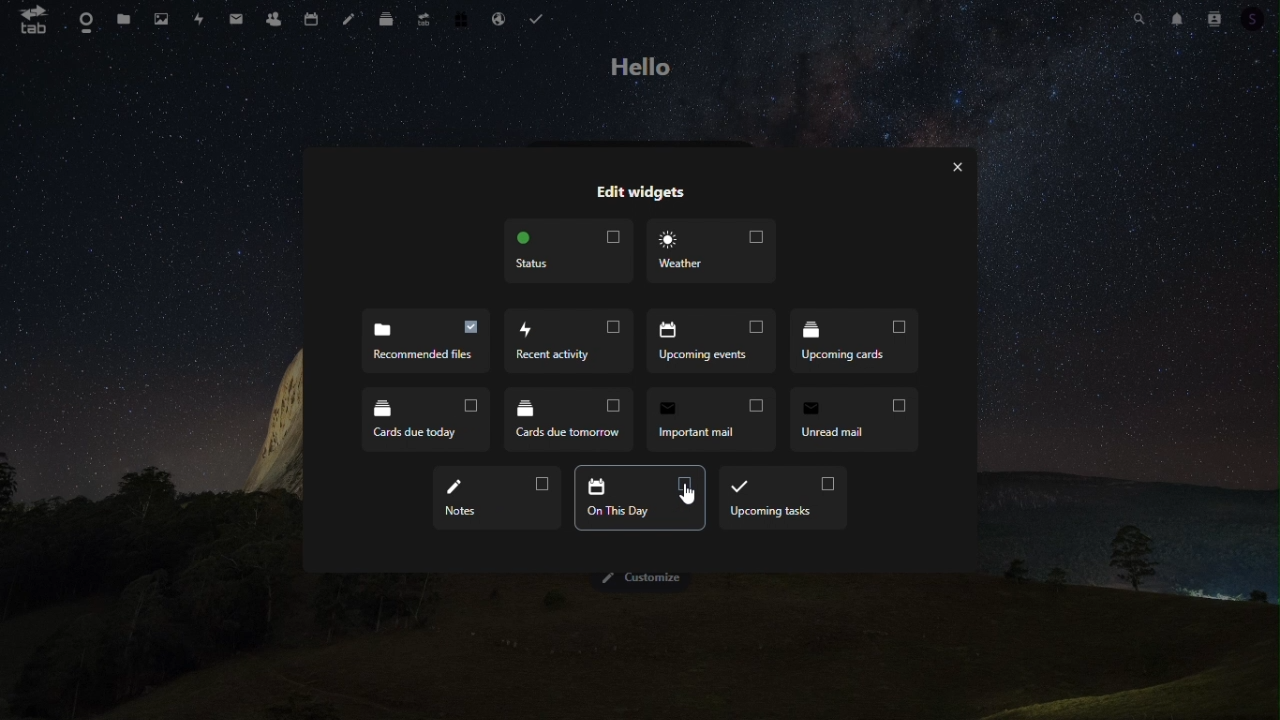 The width and height of the screenshot is (1280, 720). Describe the element at coordinates (423, 21) in the screenshot. I see `upgrade` at that location.